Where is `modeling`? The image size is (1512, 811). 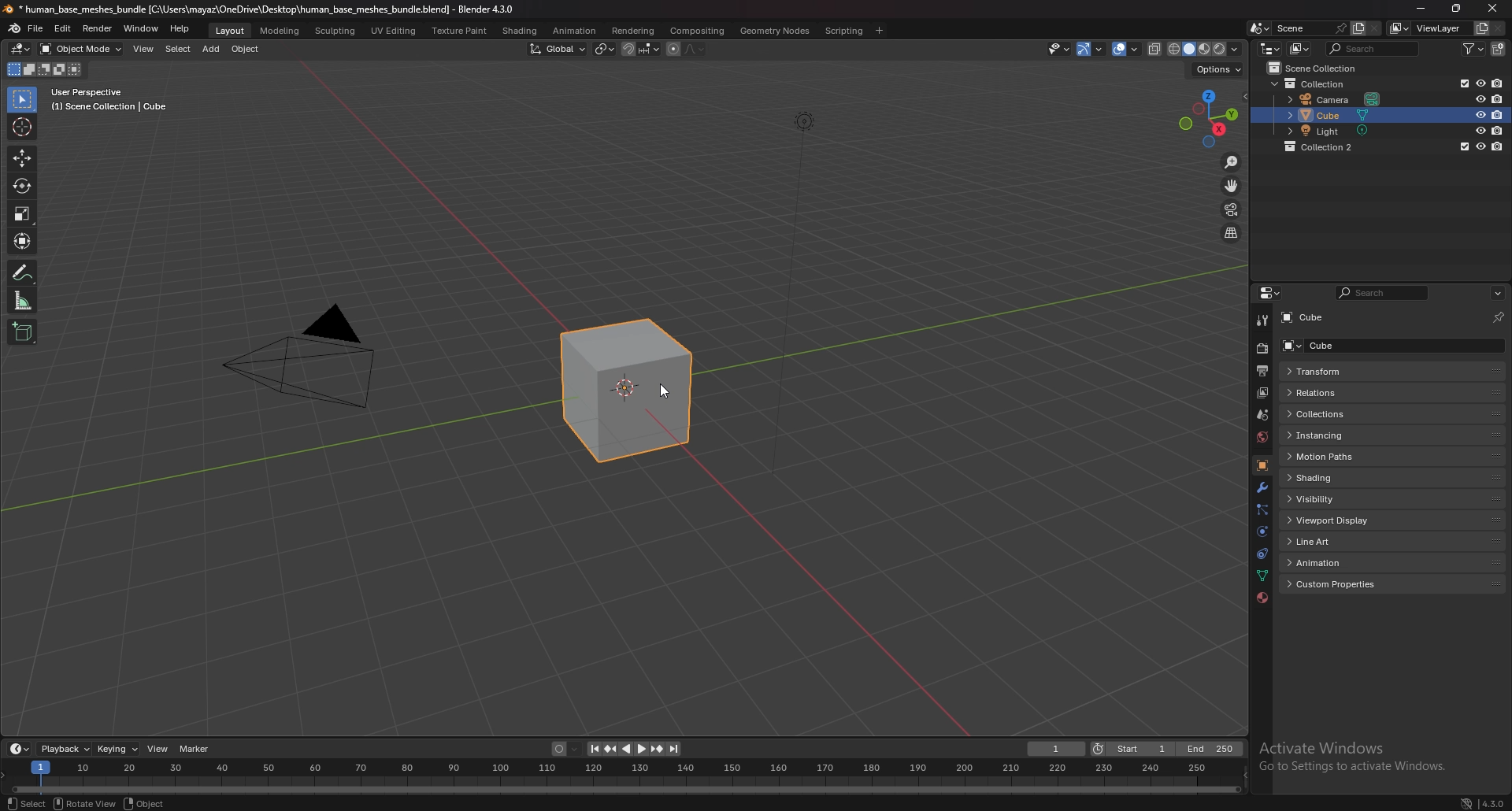
modeling is located at coordinates (281, 31).